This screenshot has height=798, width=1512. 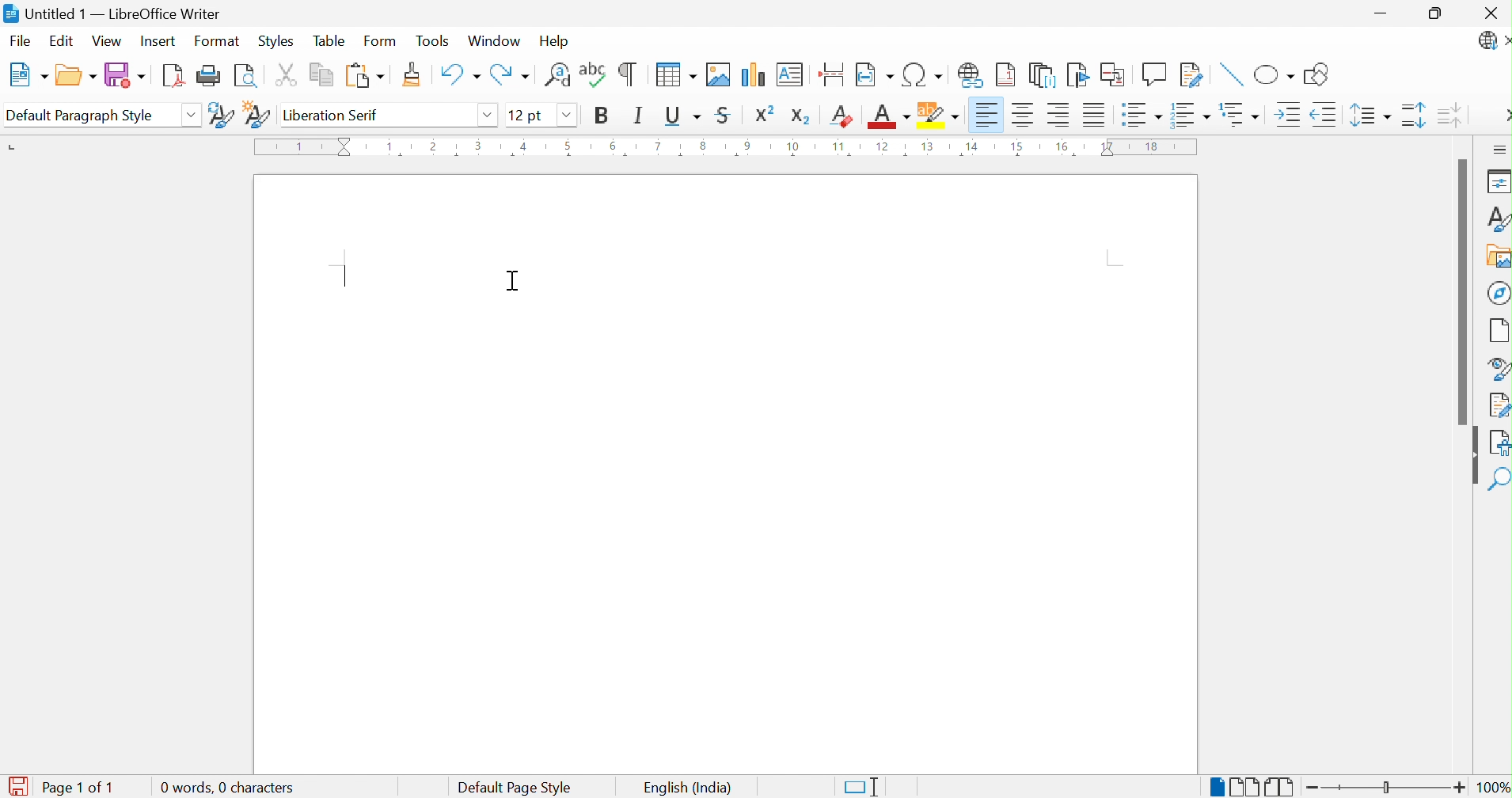 I want to click on Window, so click(x=495, y=41).